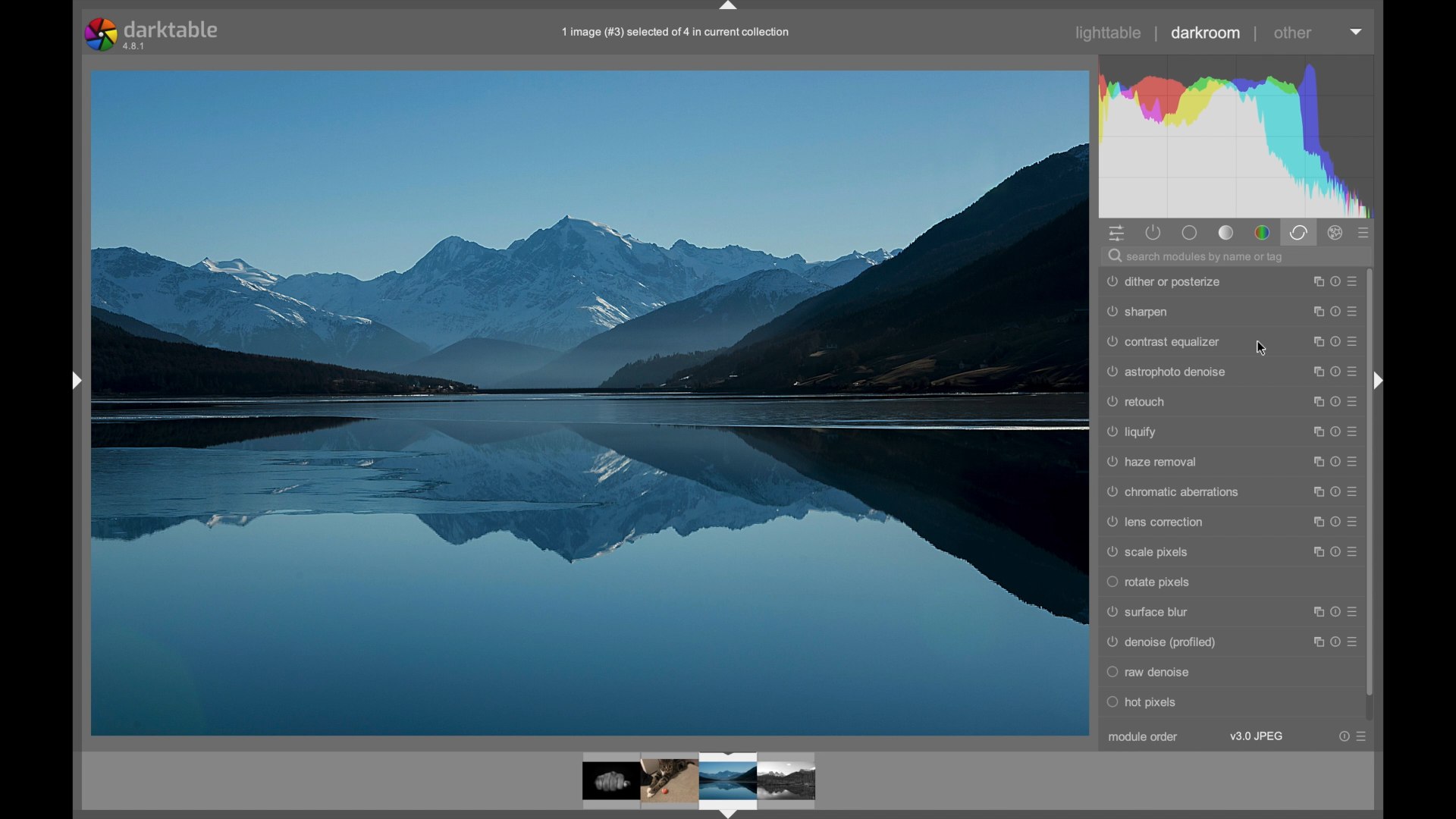 The height and width of the screenshot is (819, 1456). I want to click on contrast equalizer, so click(1164, 342).